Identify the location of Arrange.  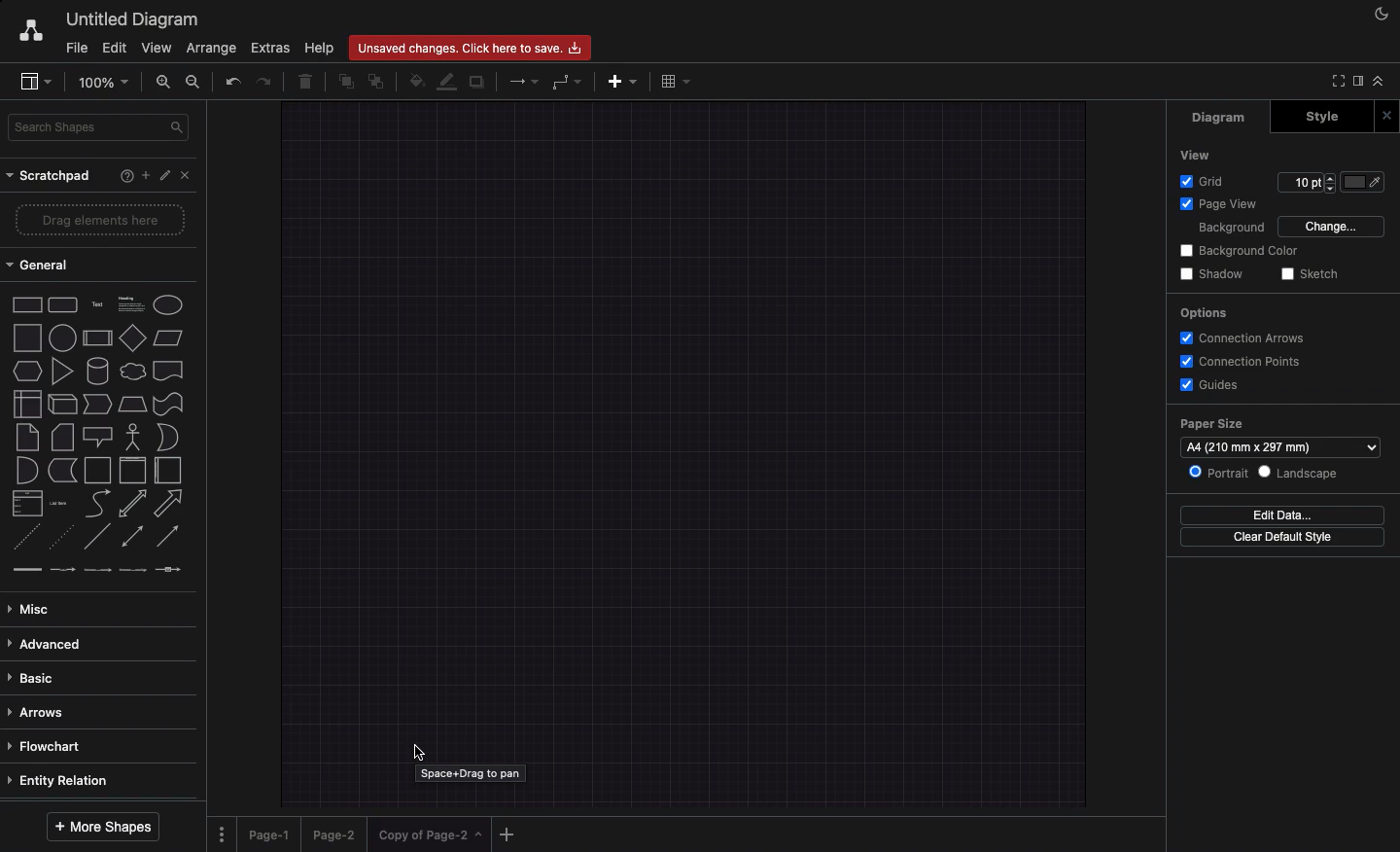
(213, 47).